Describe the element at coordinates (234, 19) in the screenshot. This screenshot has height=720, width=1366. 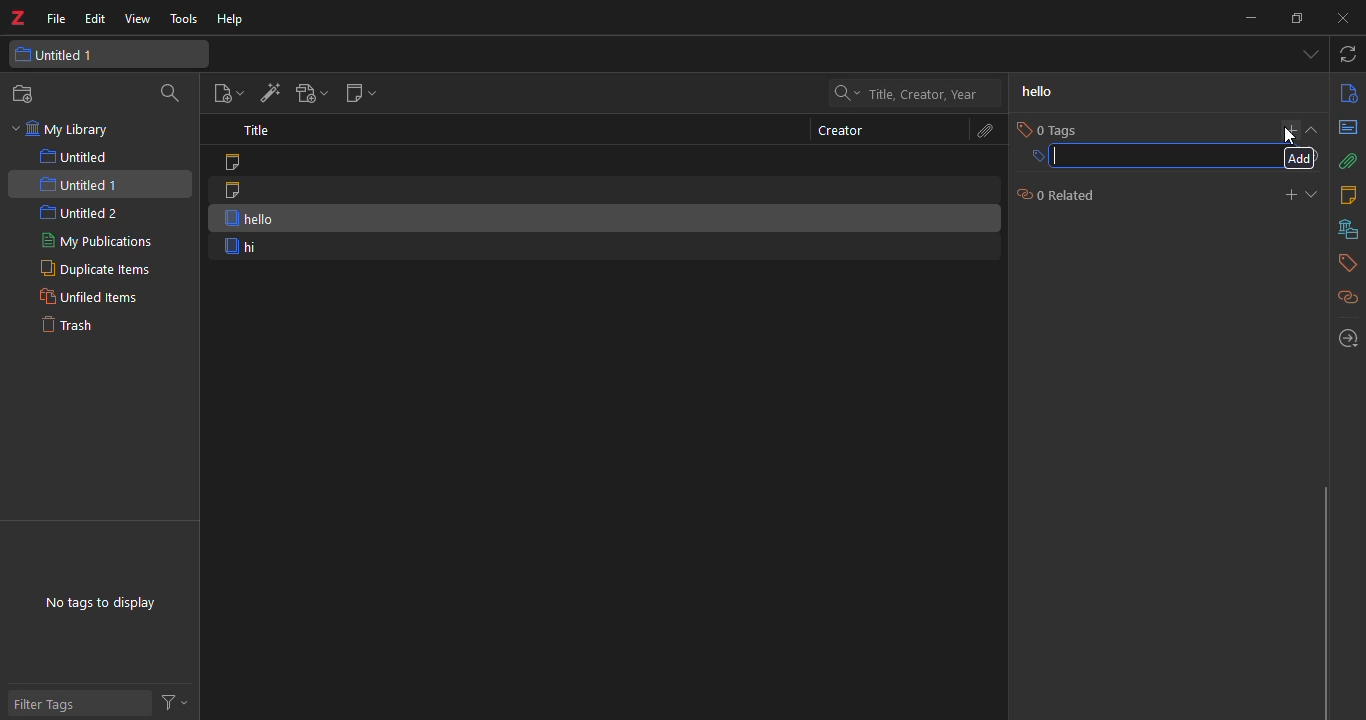
I see `help` at that location.